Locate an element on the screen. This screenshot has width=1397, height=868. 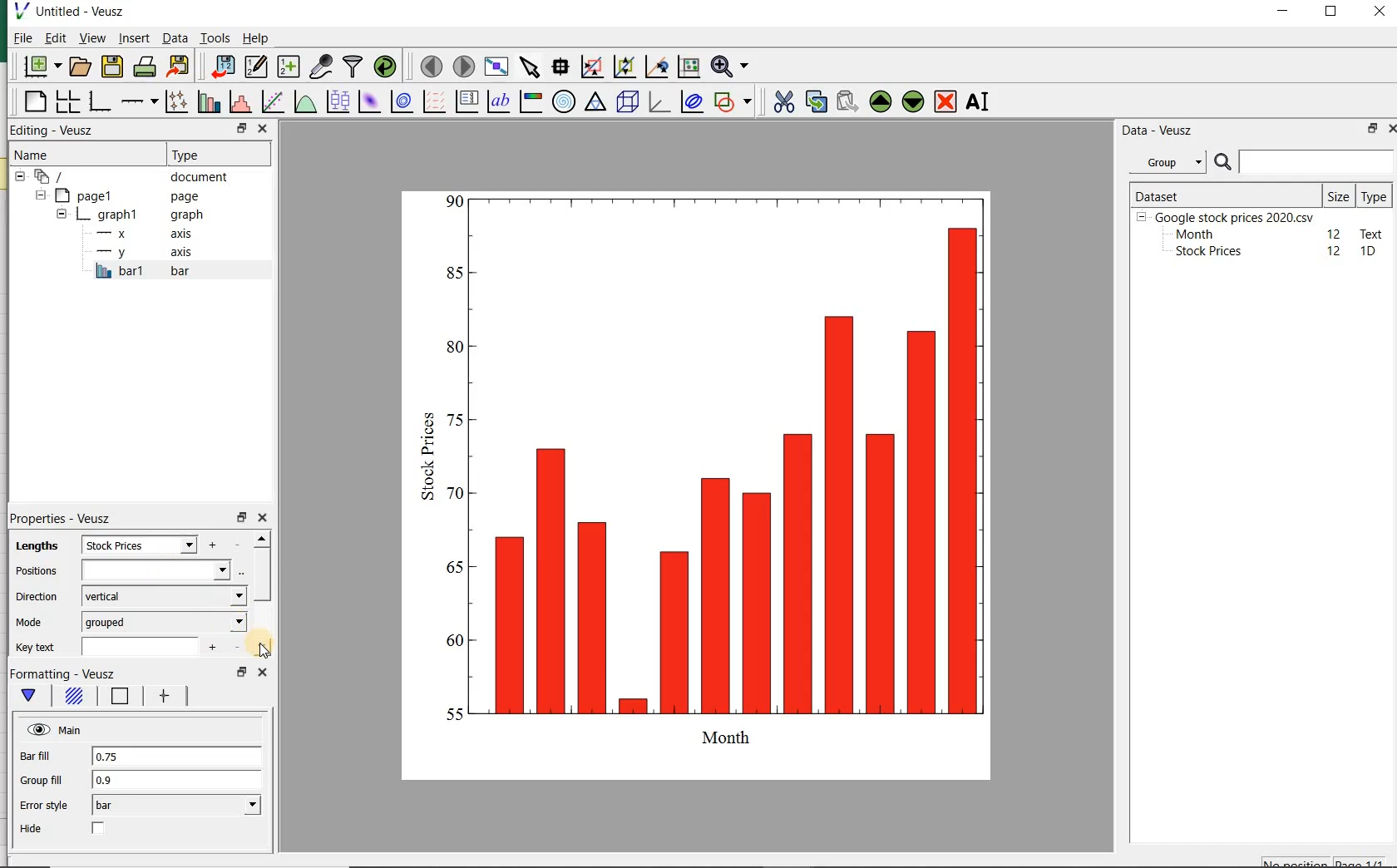
open a document is located at coordinates (81, 66).